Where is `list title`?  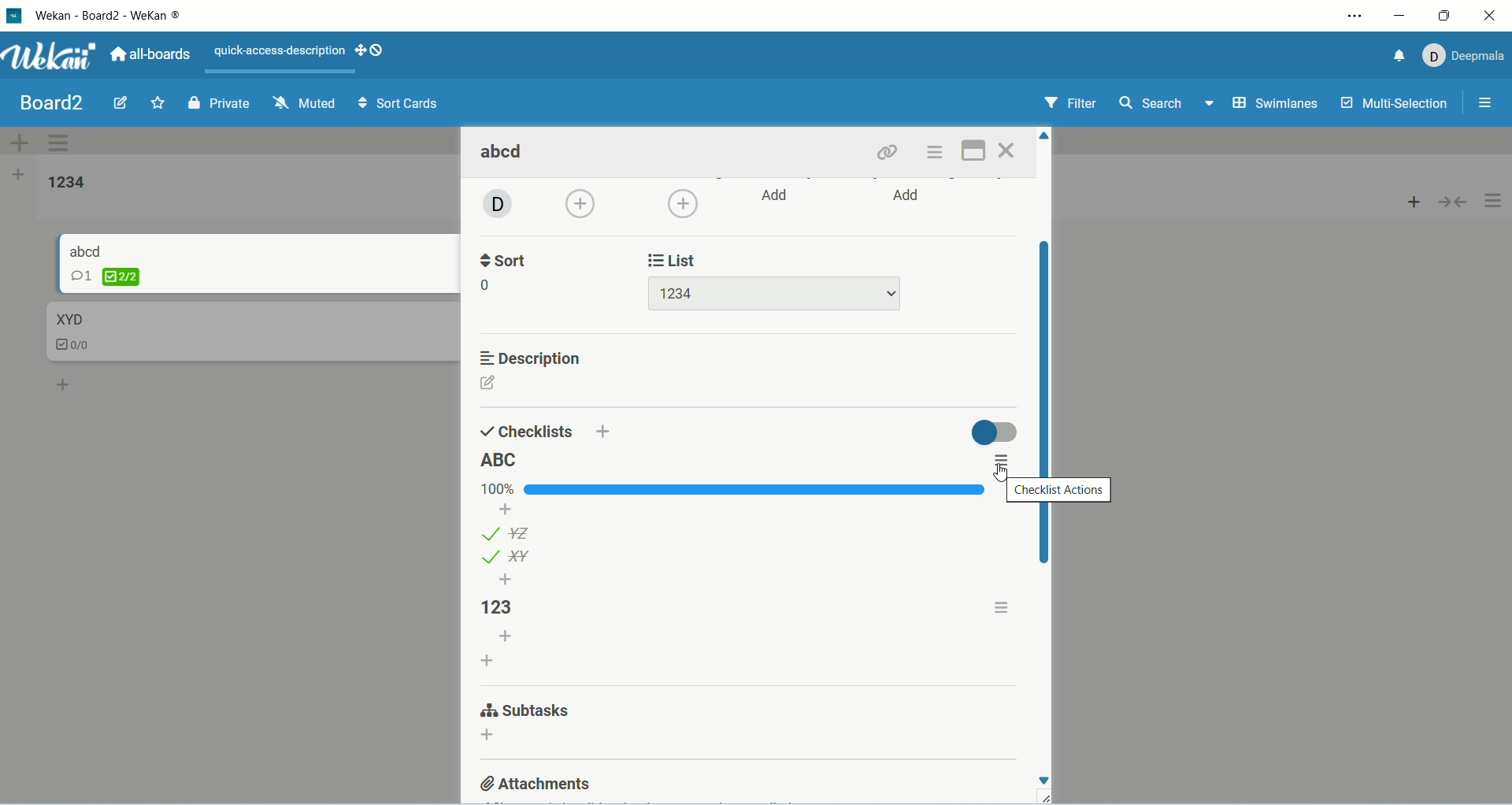 list title is located at coordinates (508, 607).